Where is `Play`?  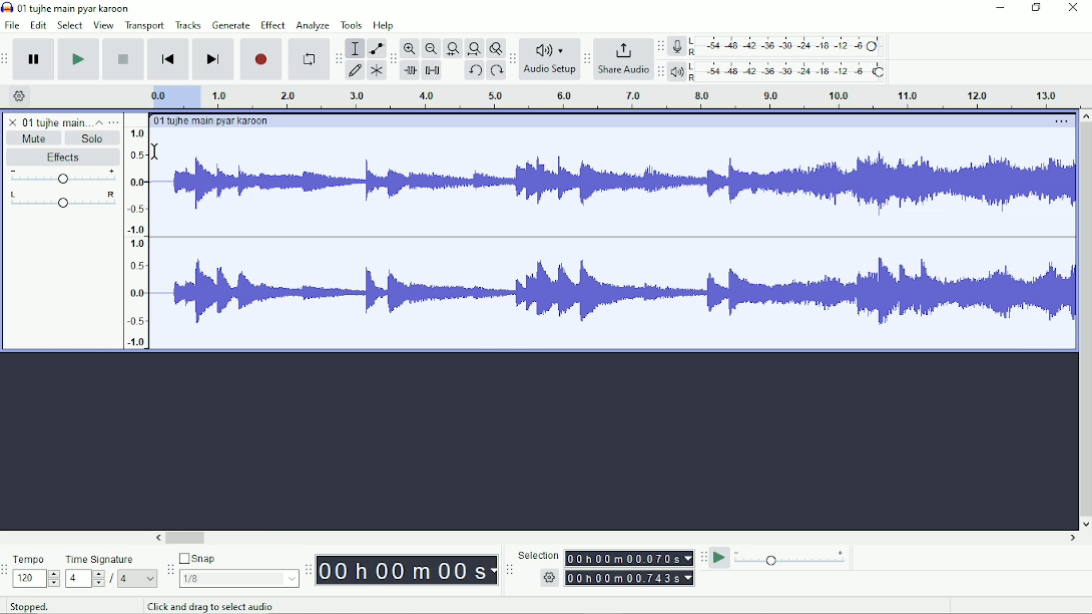
Play is located at coordinates (78, 59).